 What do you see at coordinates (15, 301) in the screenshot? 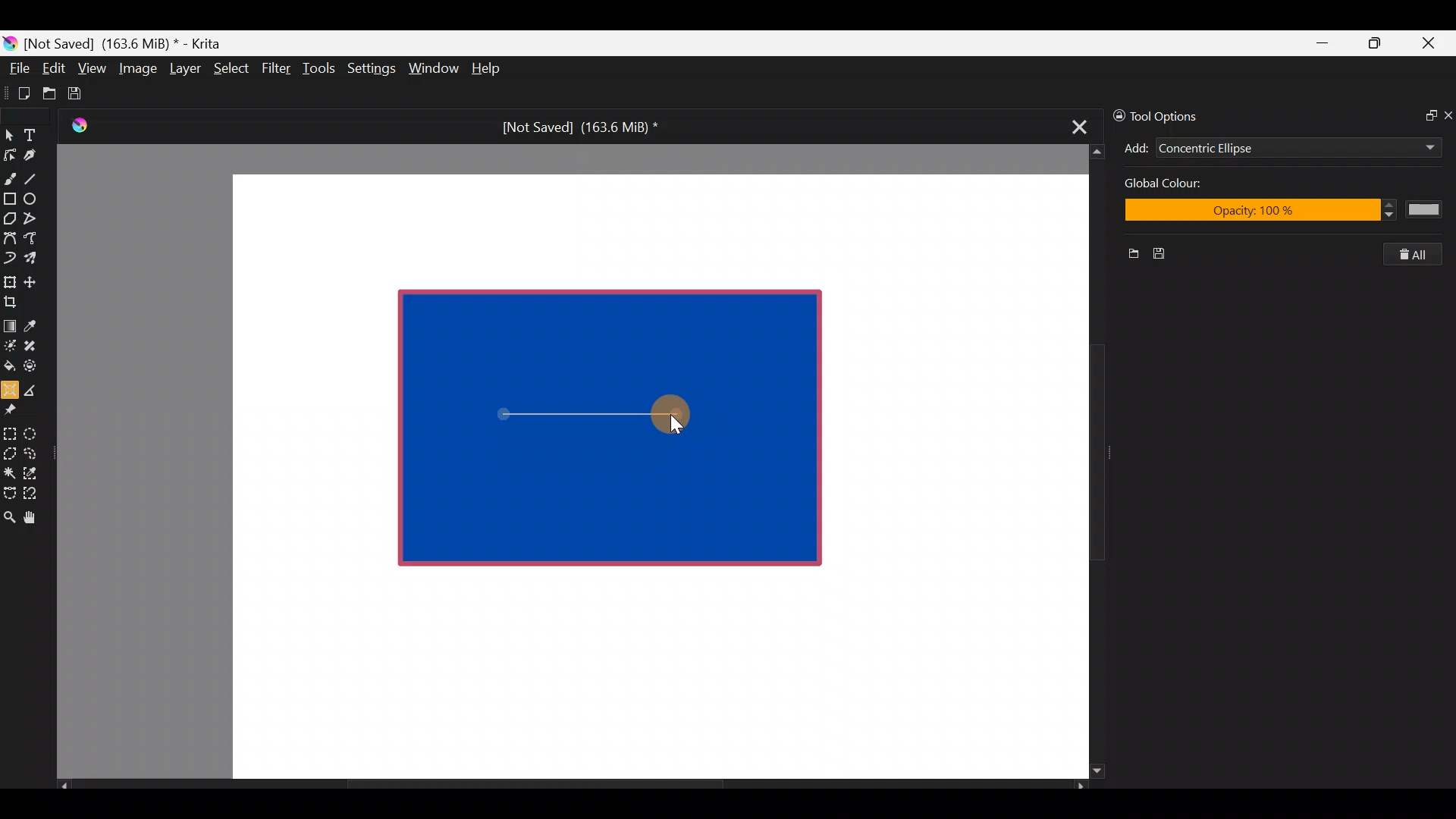
I see `Crop the image to an area` at bounding box center [15, 301].